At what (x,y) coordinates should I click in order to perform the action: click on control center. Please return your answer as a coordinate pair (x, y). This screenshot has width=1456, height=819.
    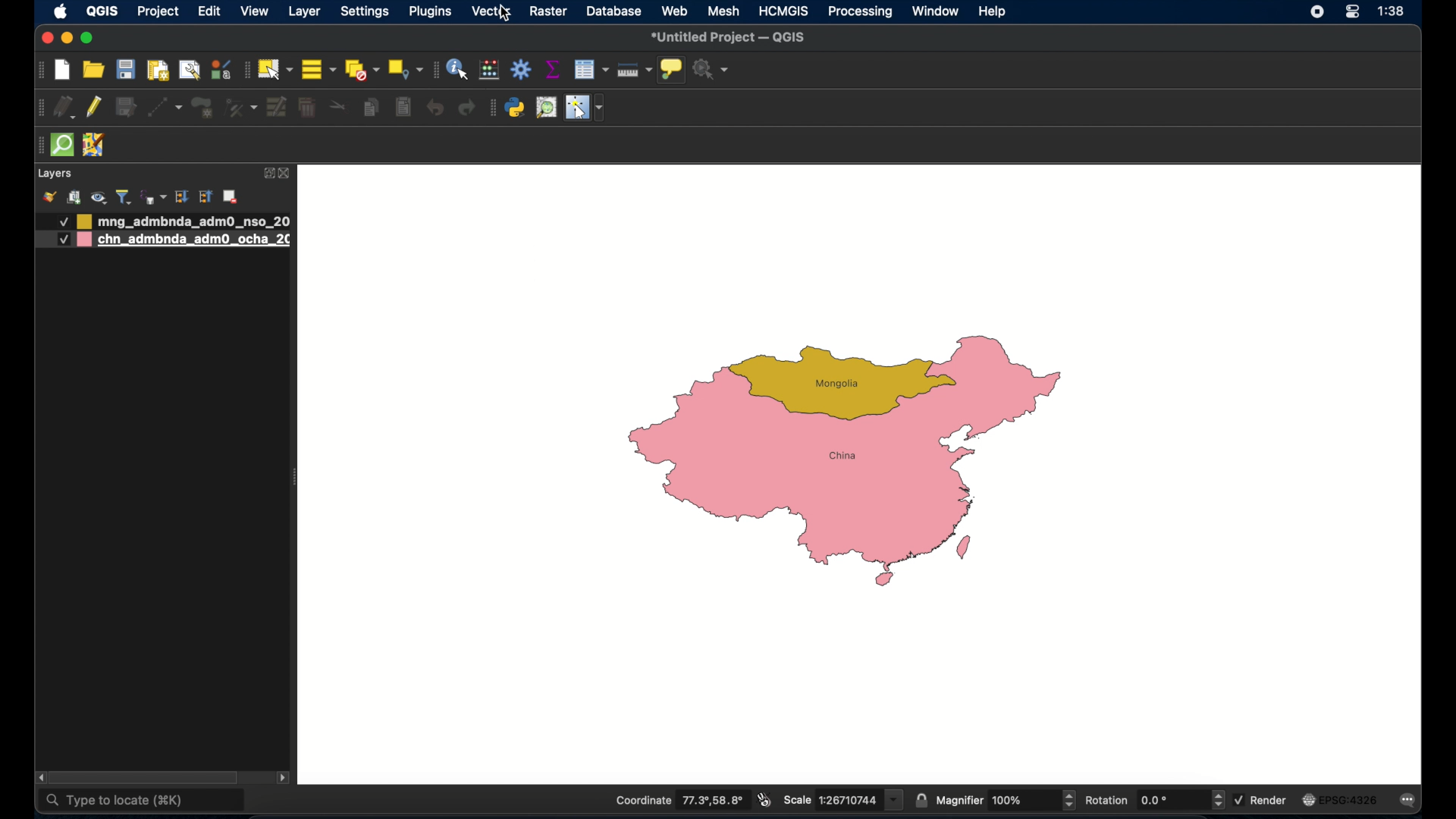
    Looking at the image, I should click on (1313, 14).